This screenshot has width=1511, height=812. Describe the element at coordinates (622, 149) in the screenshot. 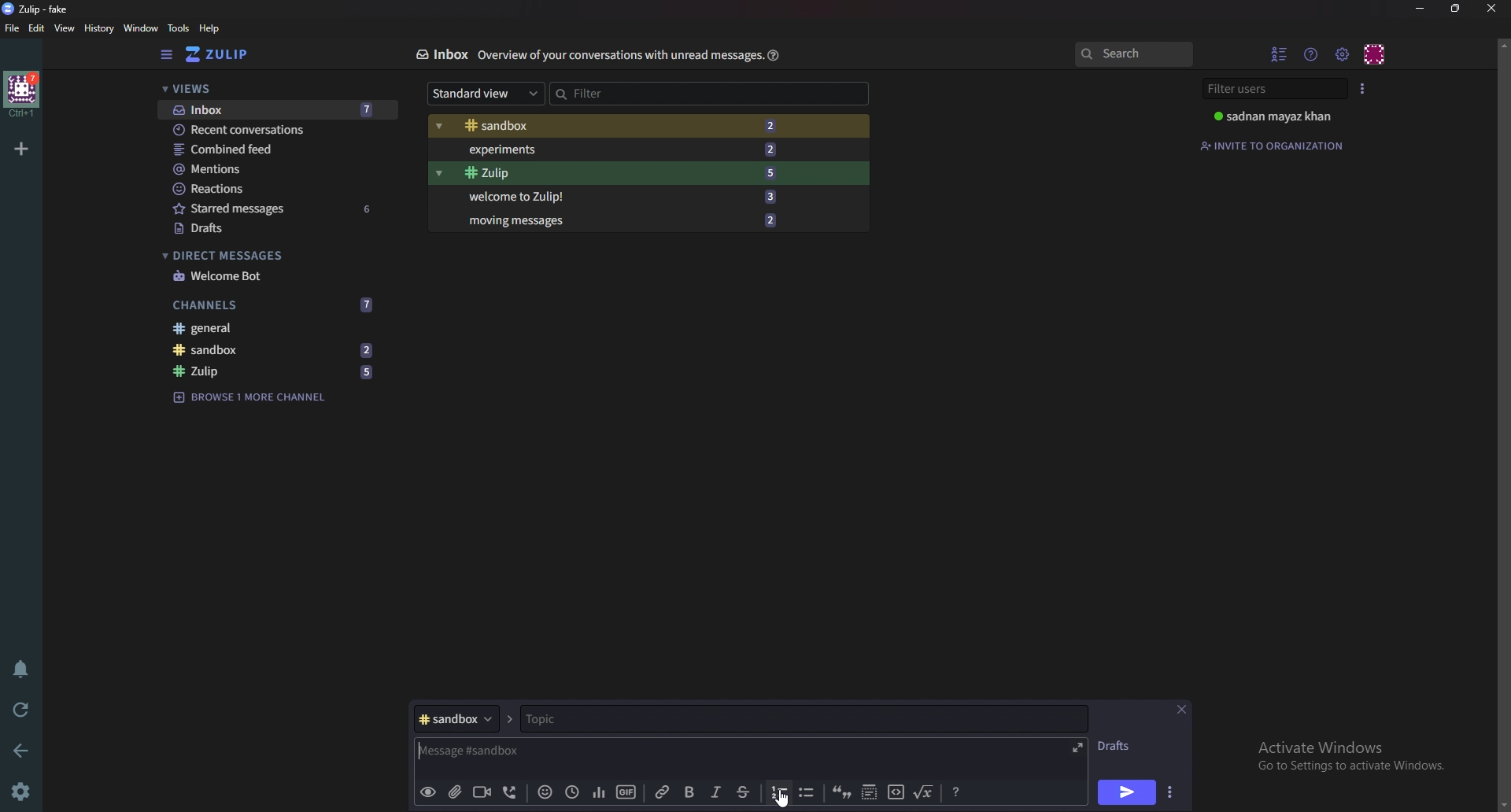

I see `Experiments` at that location.